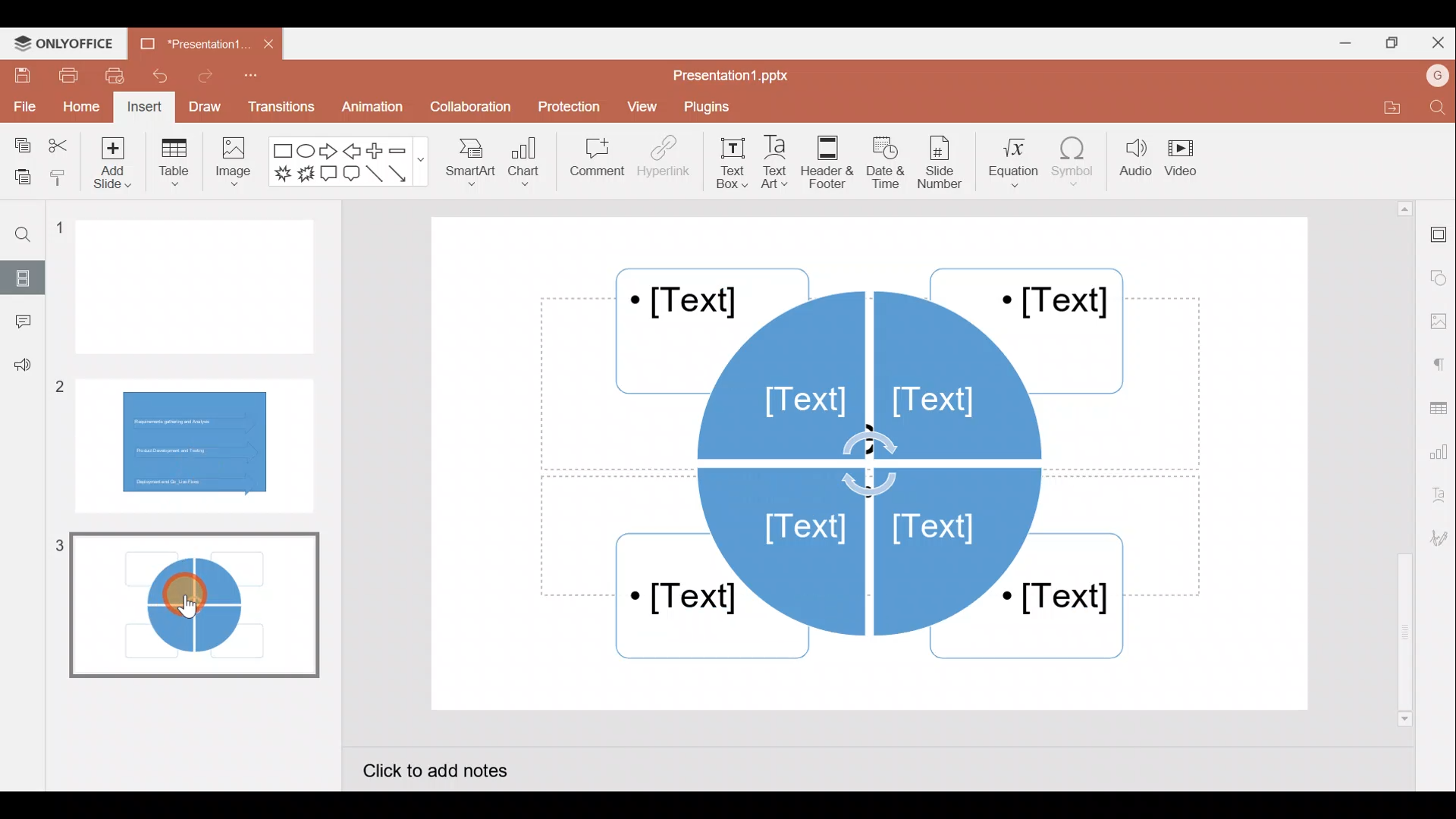 The width and height of the screenshot is (1456, 819). What do you see at coordinates (1395, 41) in the screenshot?
I see `Maximize` at bounding box center [1395, 41].